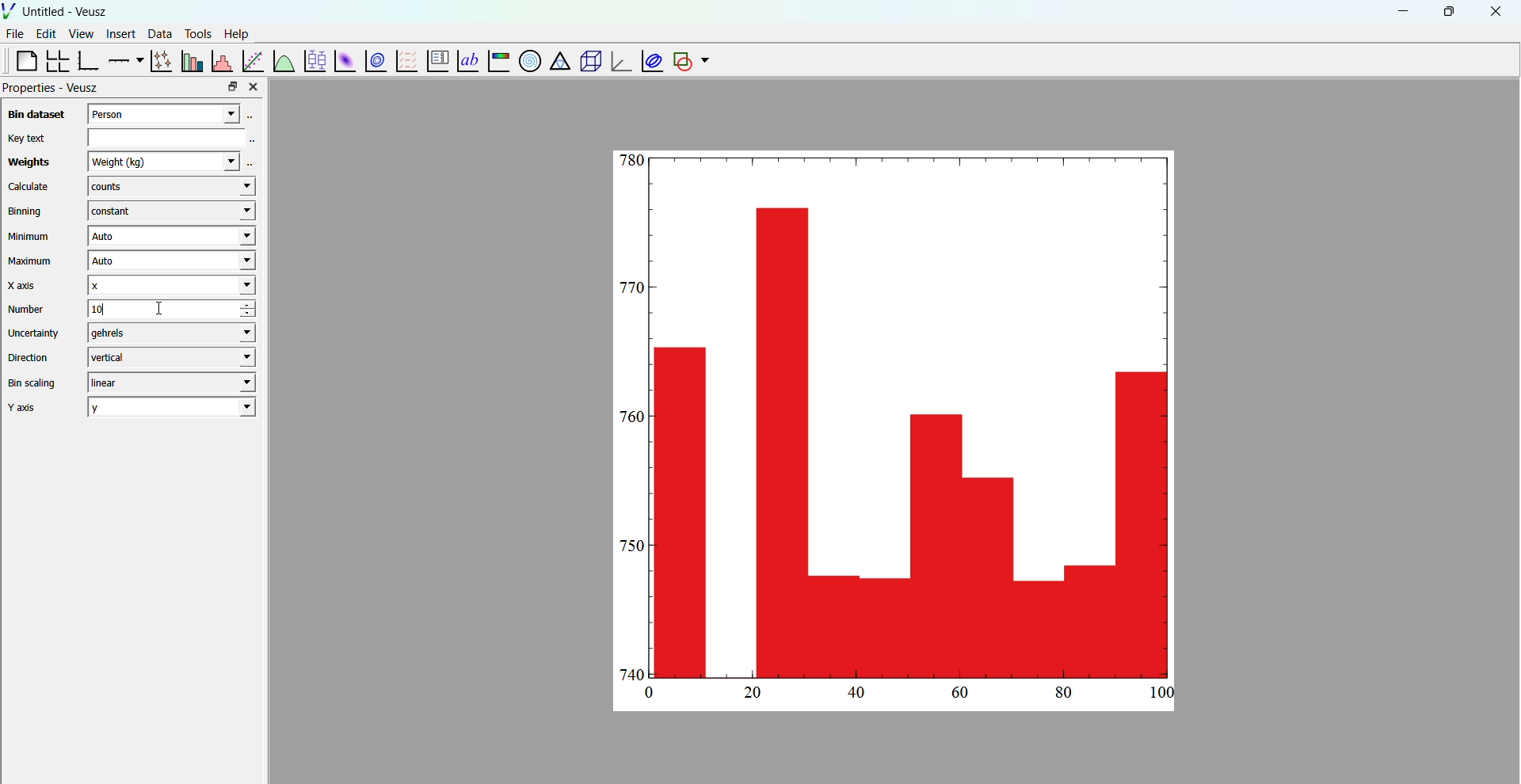 The height and width of the screenshot is (784, 1521). Describe the element at coordinates (35, 333) in the screenshot. I see `Uncertainty` at that location.